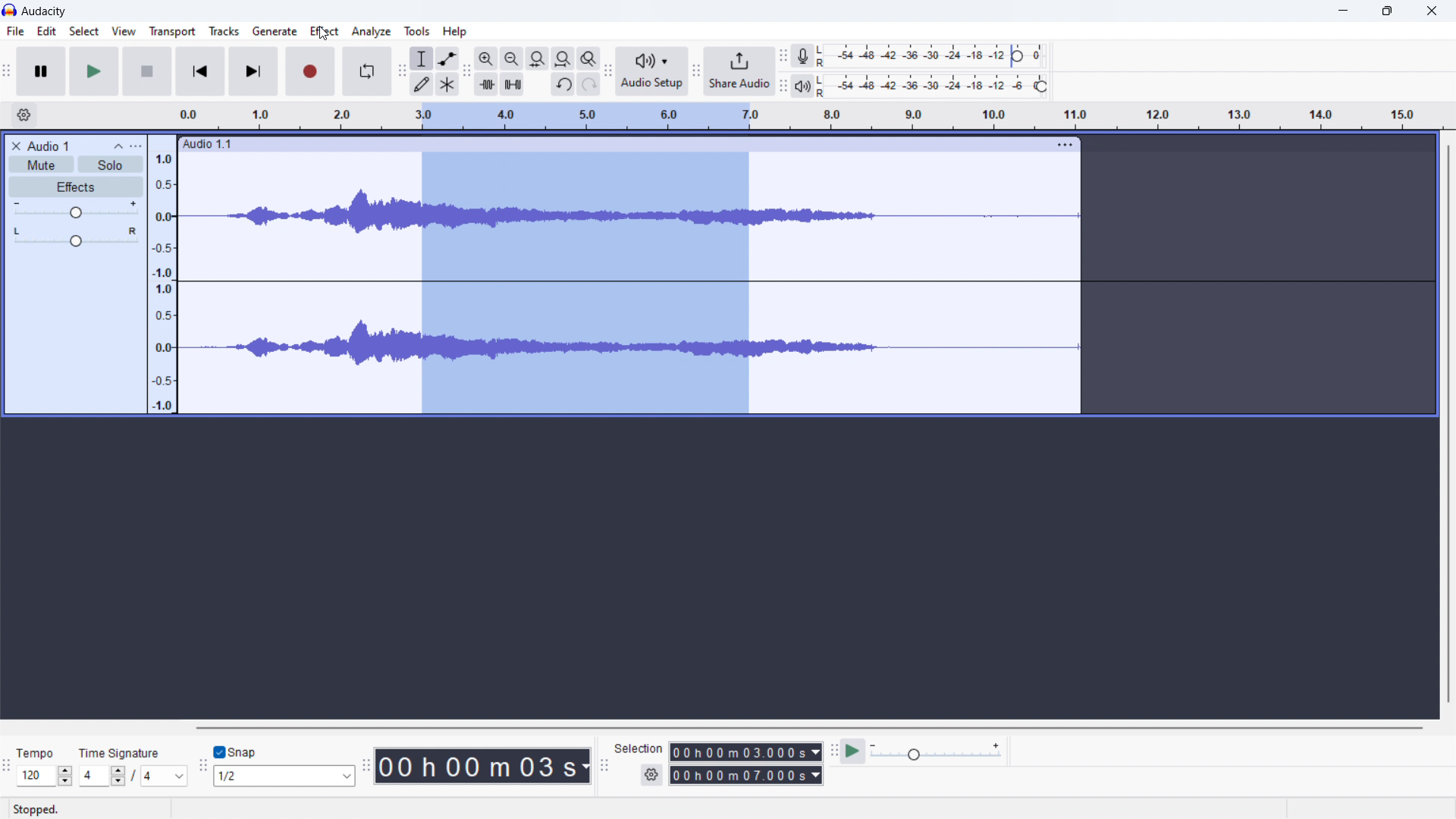 The image size is (1456, 819). Describe the element at coordinates (563, 83) in the screenshot. I see `undo` at that location.